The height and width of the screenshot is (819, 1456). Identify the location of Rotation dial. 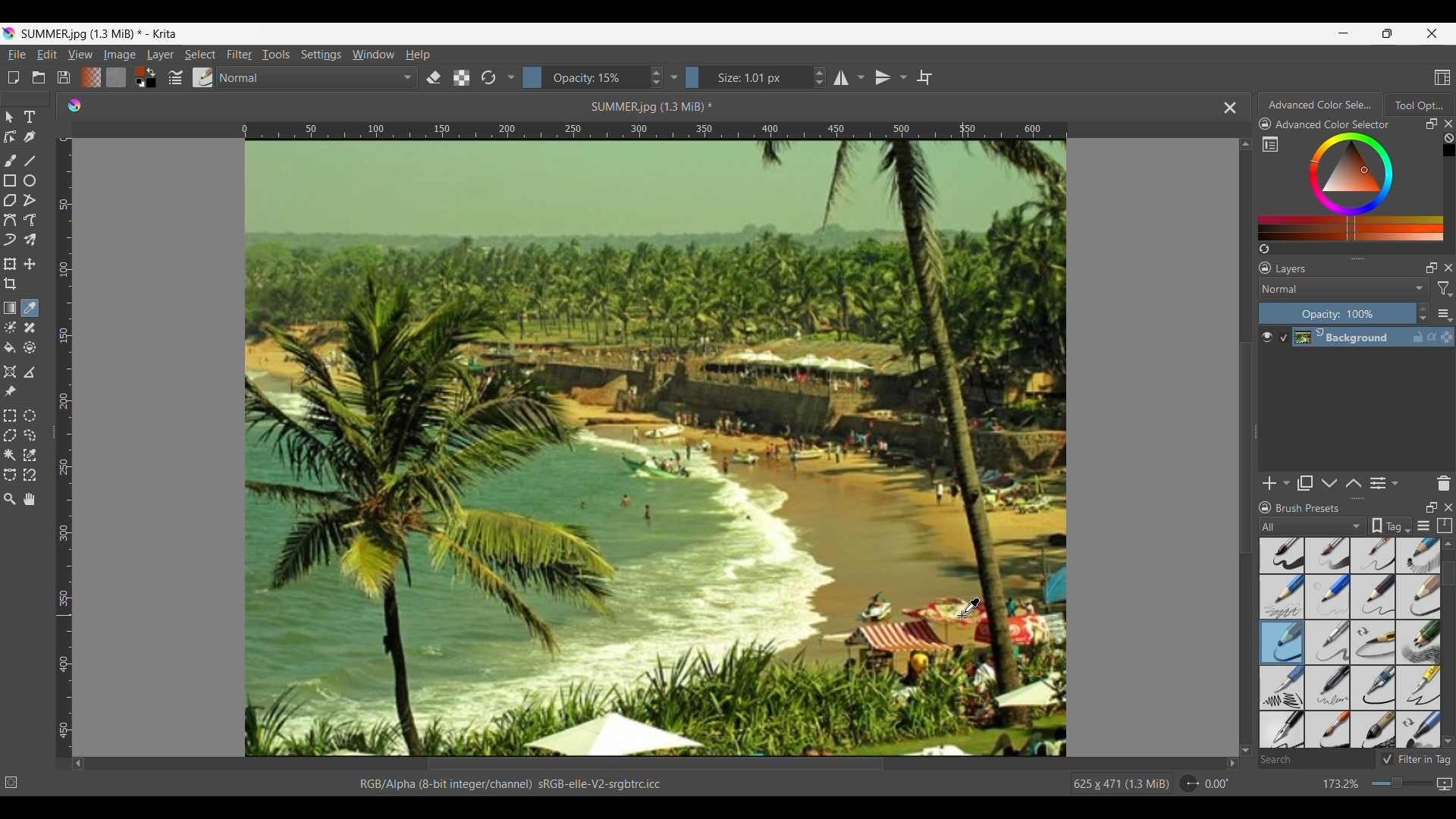
(1189, 784).